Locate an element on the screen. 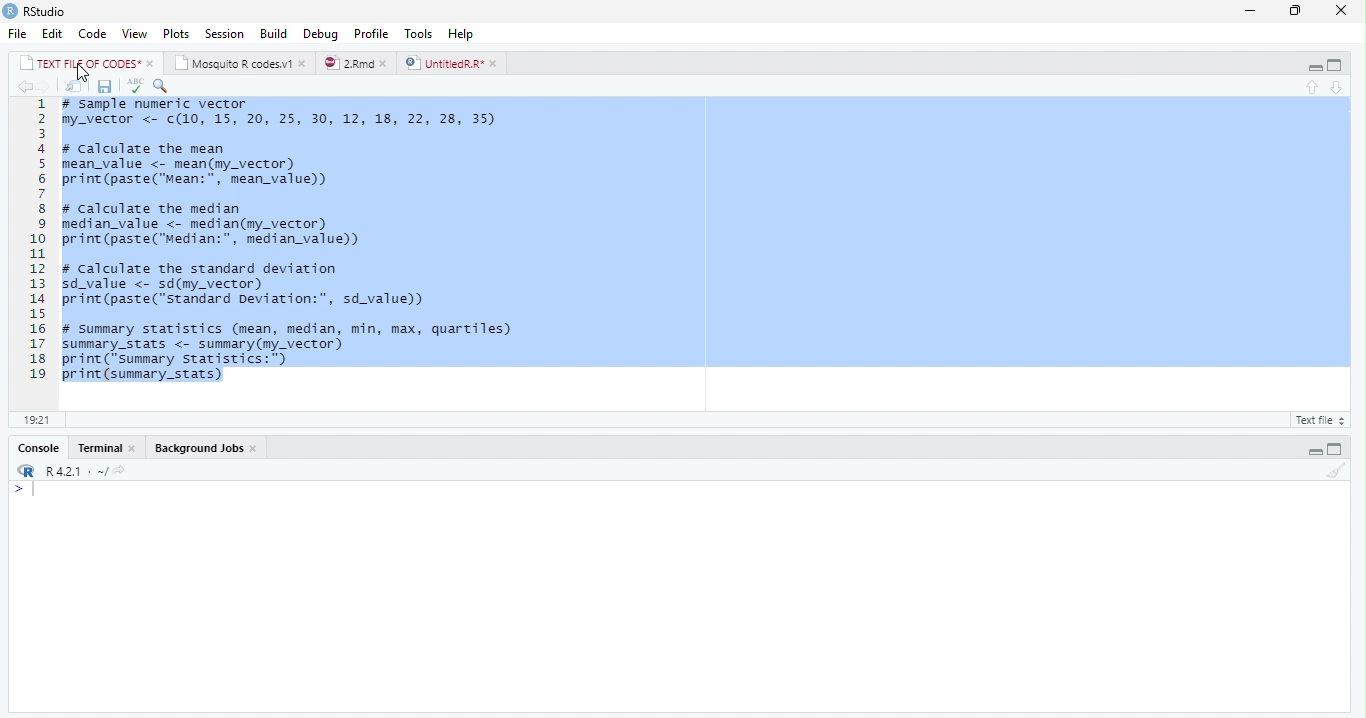 This screenshot has width=1366, height=718. next section is located at coordinates (1338, 88).